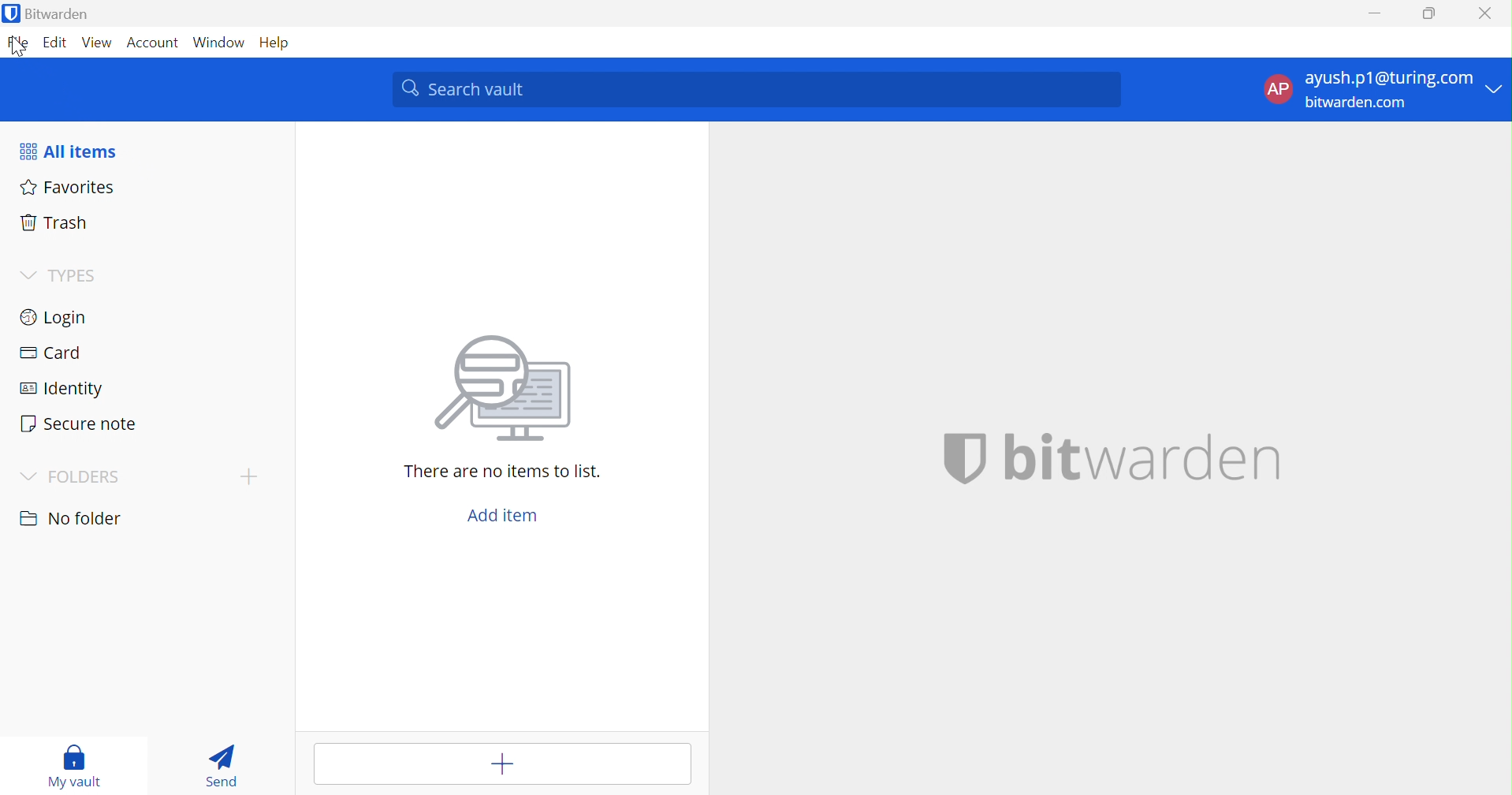 The image size is (1512, 795). Describe the element at coordinates (224, 764) in the screenshot. I see `Send` at that location.